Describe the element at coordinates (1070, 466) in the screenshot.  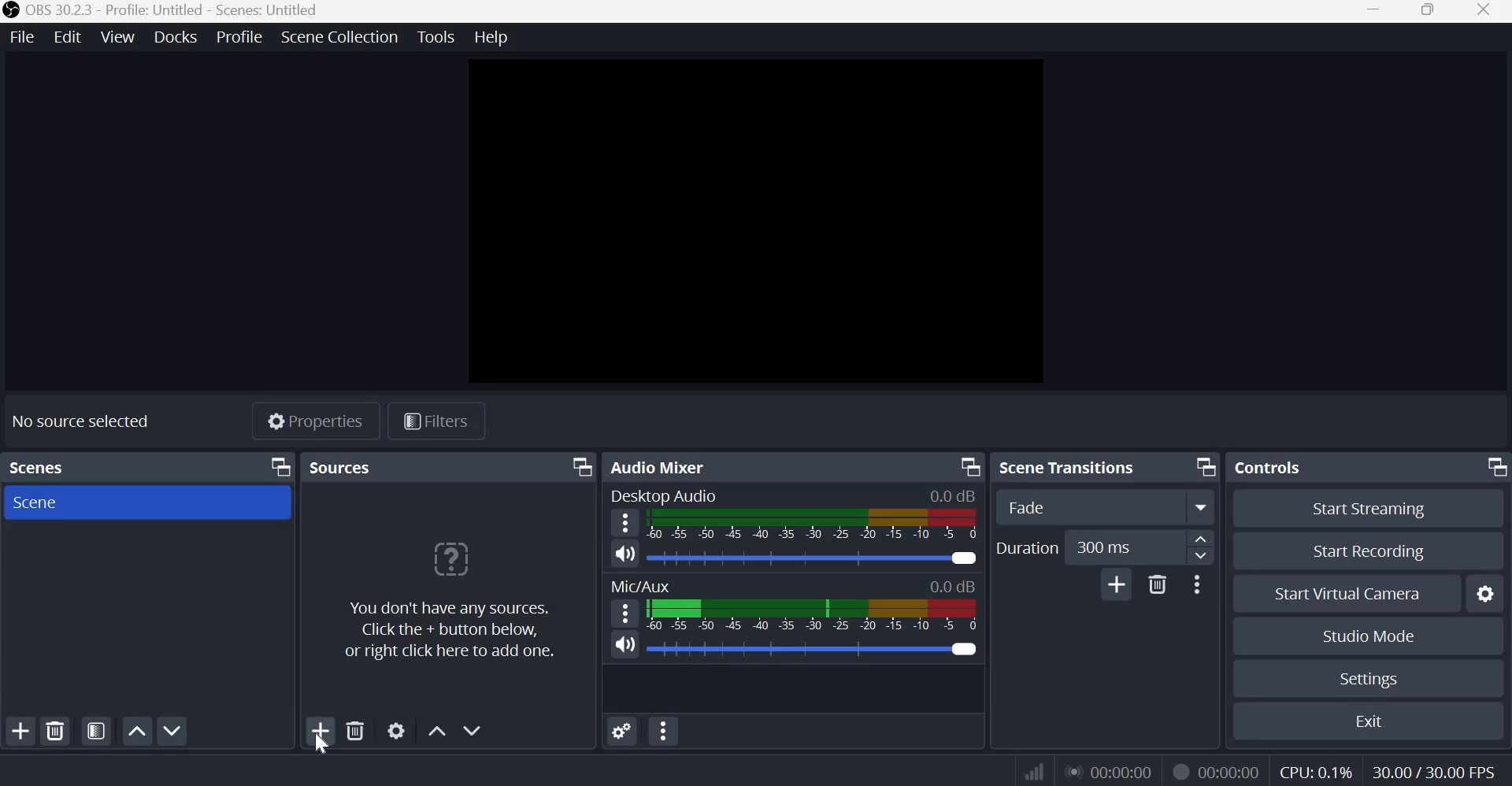
I see `Scene transitions` at that location.